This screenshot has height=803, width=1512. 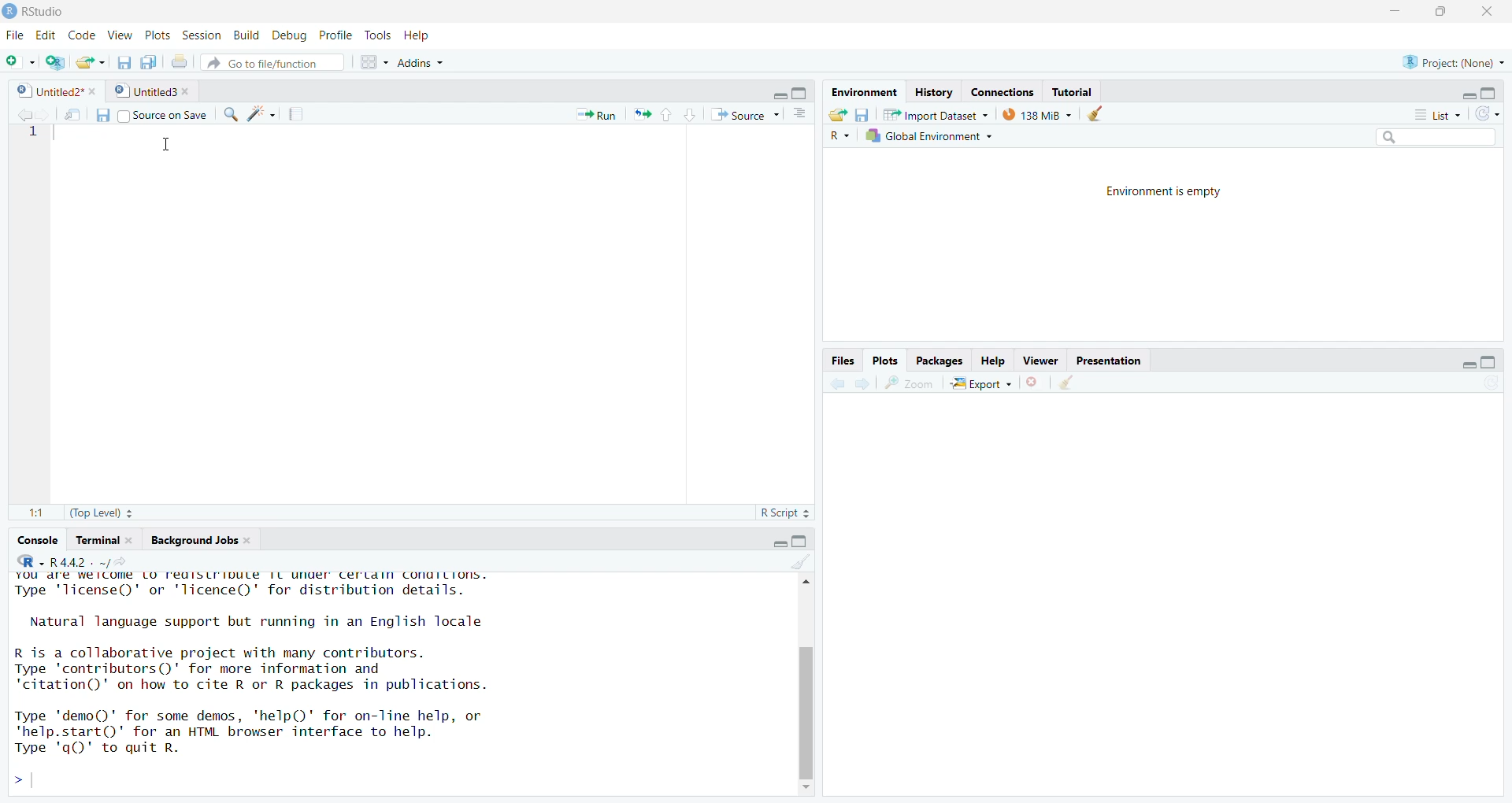 I want to click on Plots, so click(x=158, y=35).